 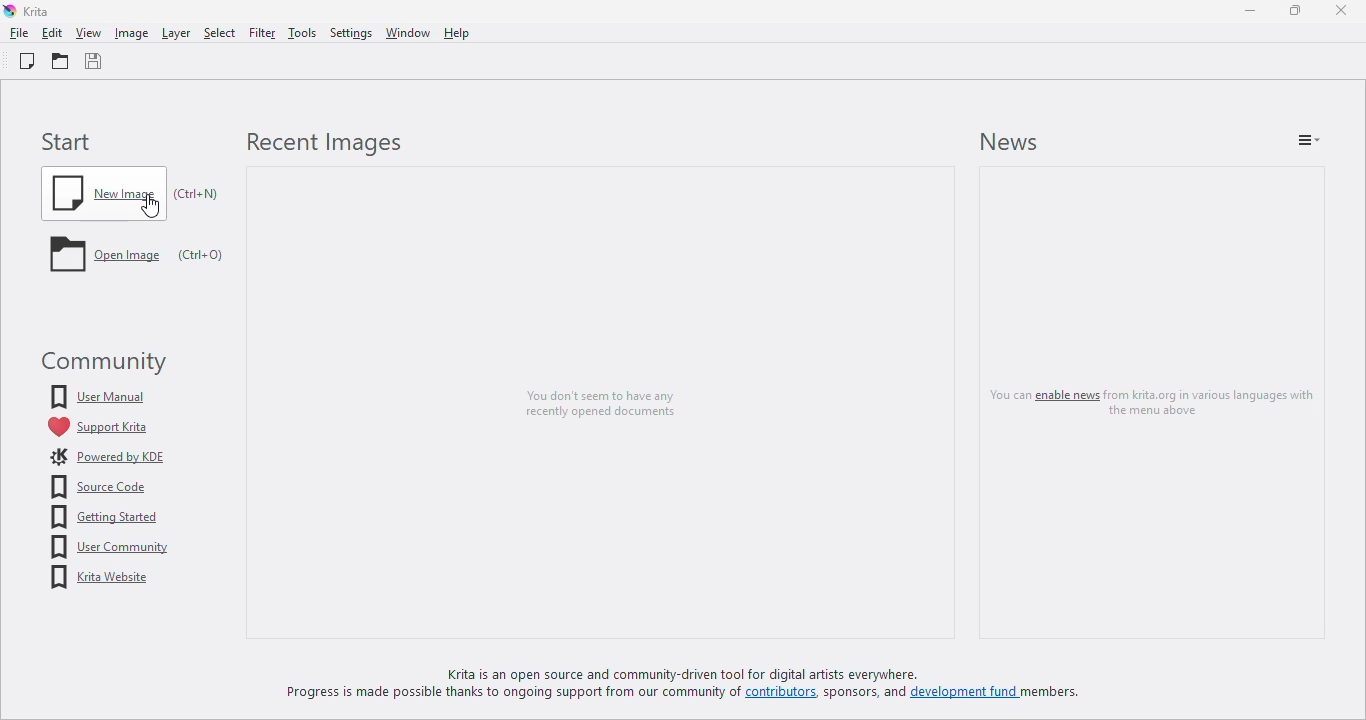 What do you see at coordinates (26, 62) in the screenshot?
I see `create new document` at bounding box center [26, 62].